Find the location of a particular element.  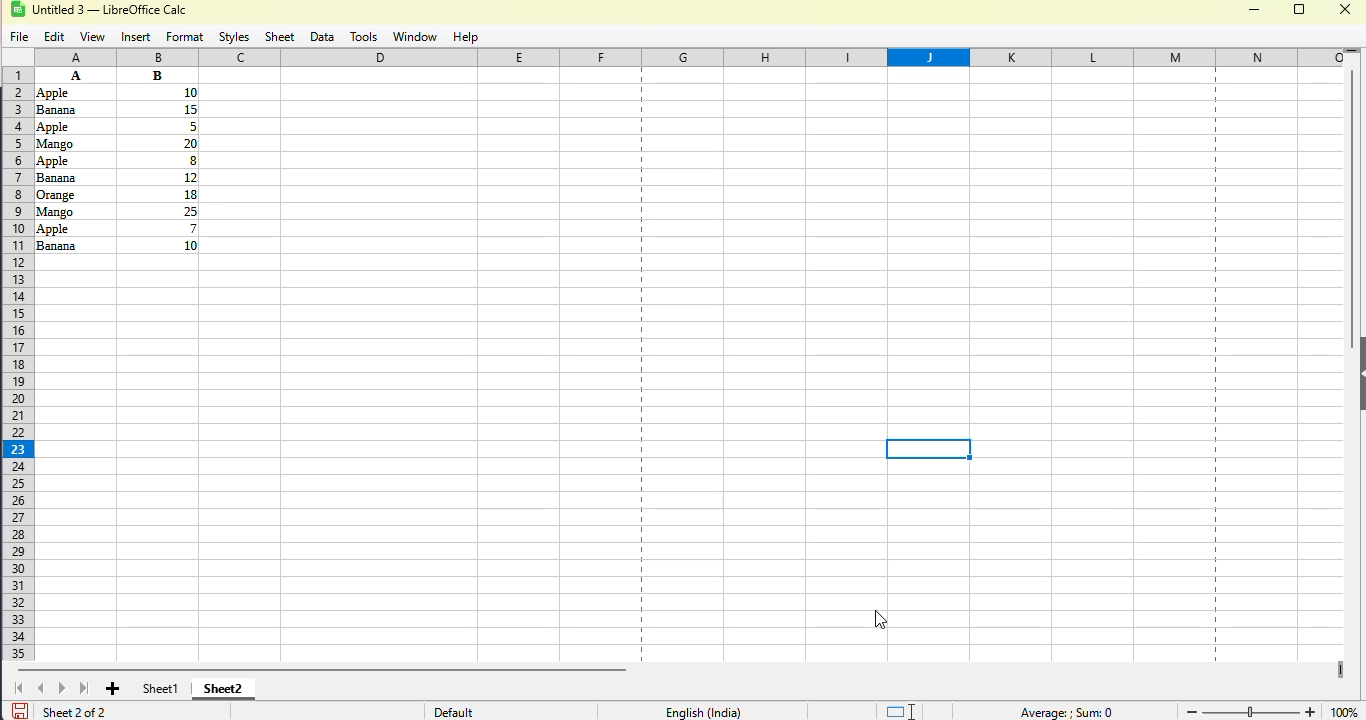

file is located at coordinates (20, 38).